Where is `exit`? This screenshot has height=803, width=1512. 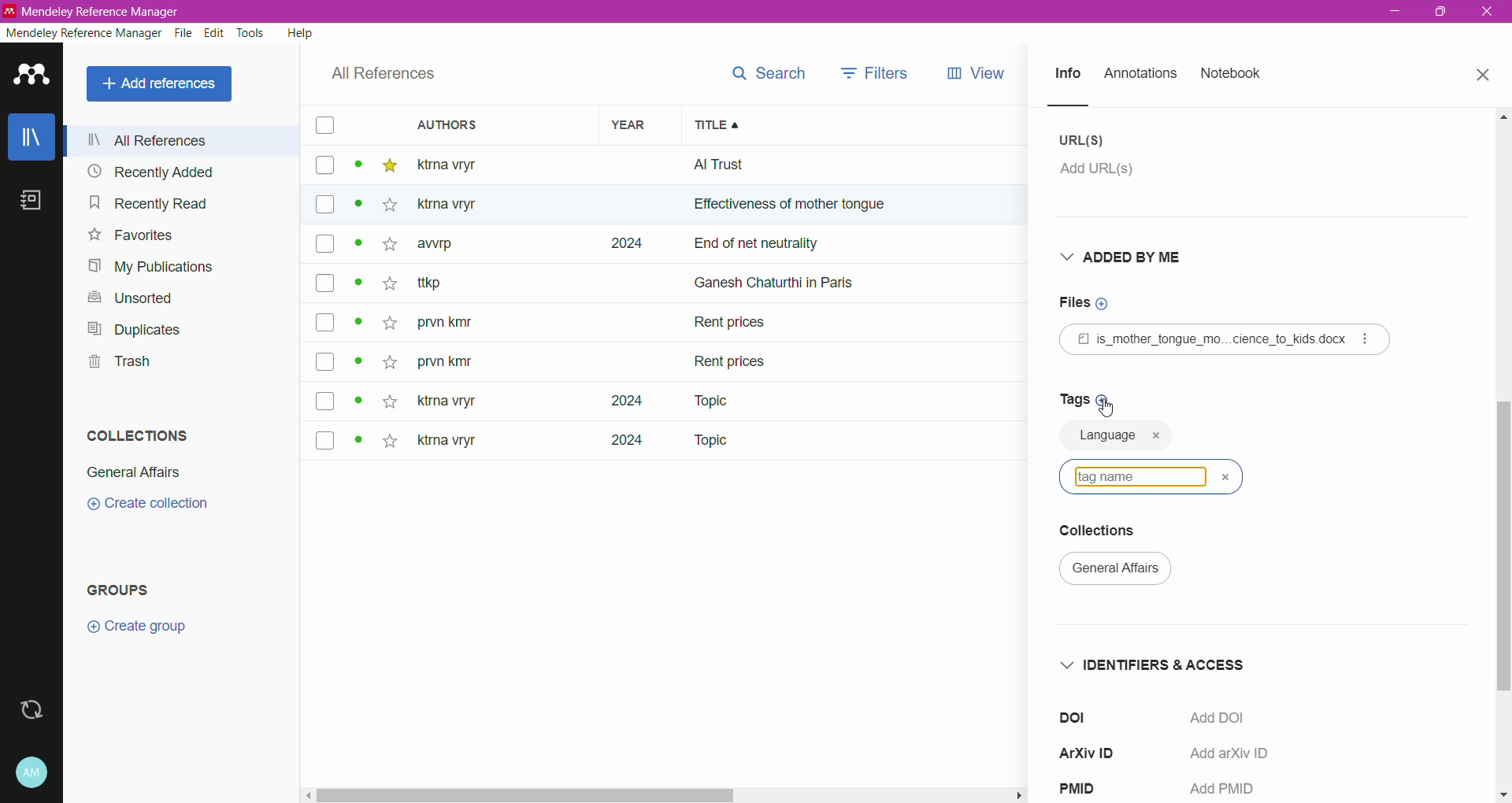 exit is located at coordinates (1490, 16).